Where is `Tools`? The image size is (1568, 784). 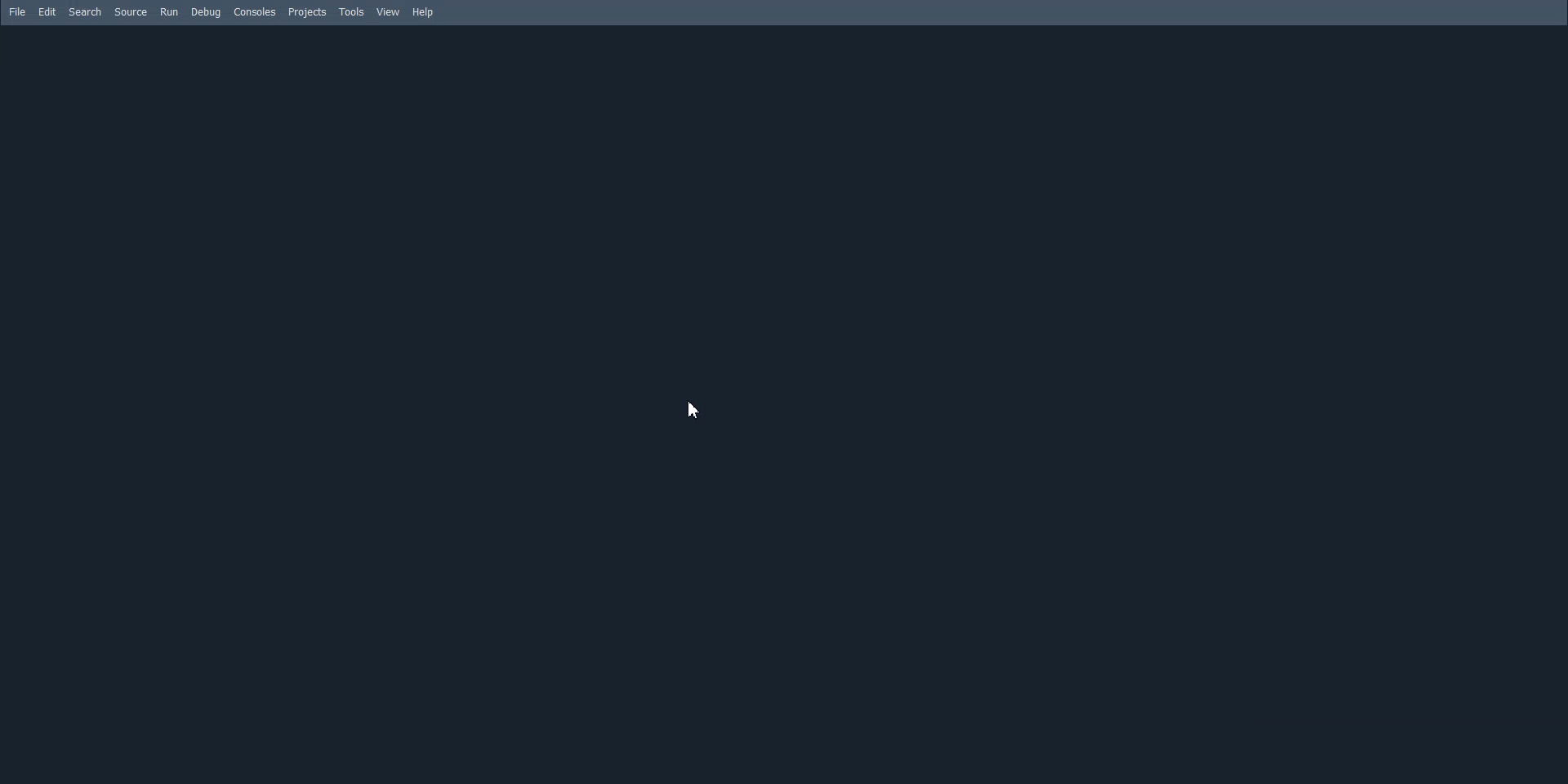 Tools is located at coordinates (353, 11).